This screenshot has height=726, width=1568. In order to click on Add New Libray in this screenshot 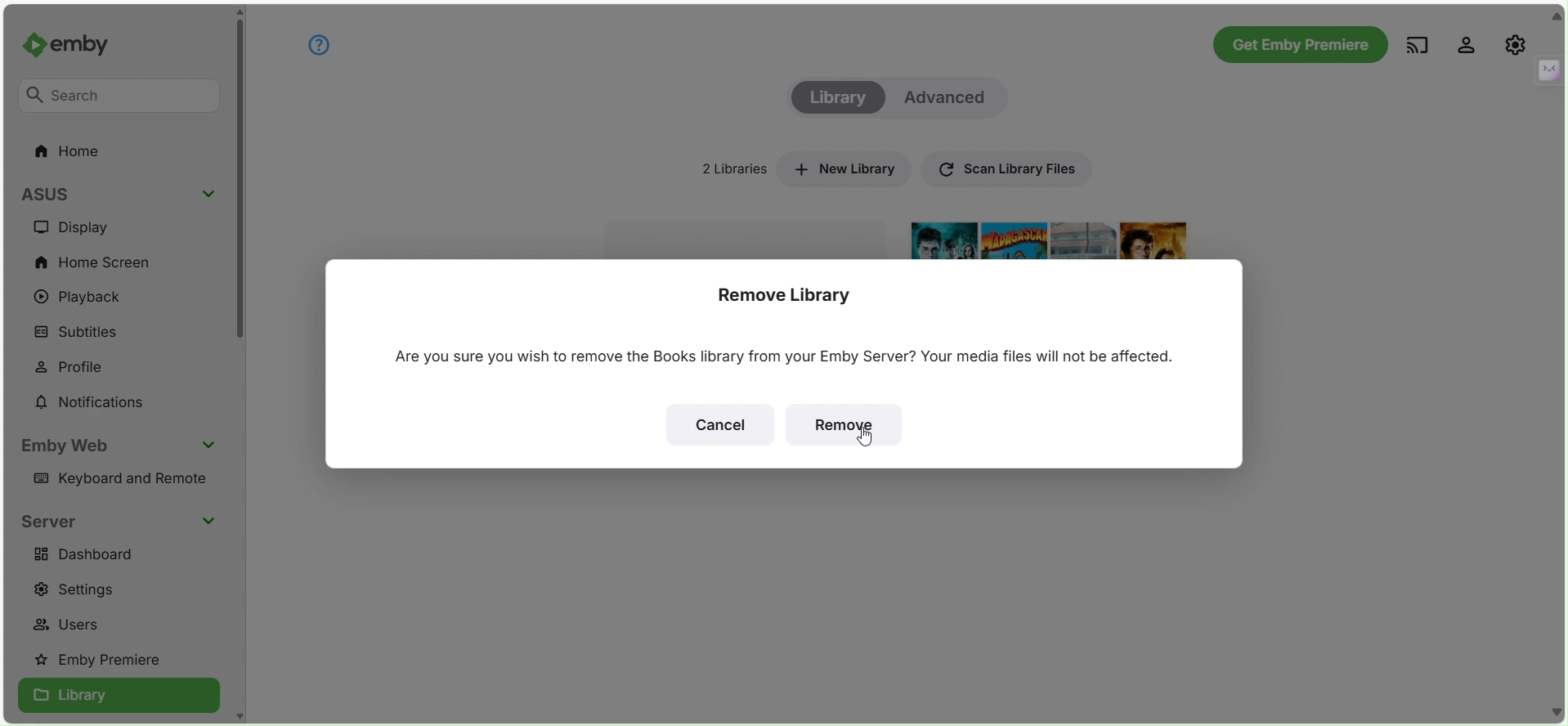, I will do `click(843, 168)`.